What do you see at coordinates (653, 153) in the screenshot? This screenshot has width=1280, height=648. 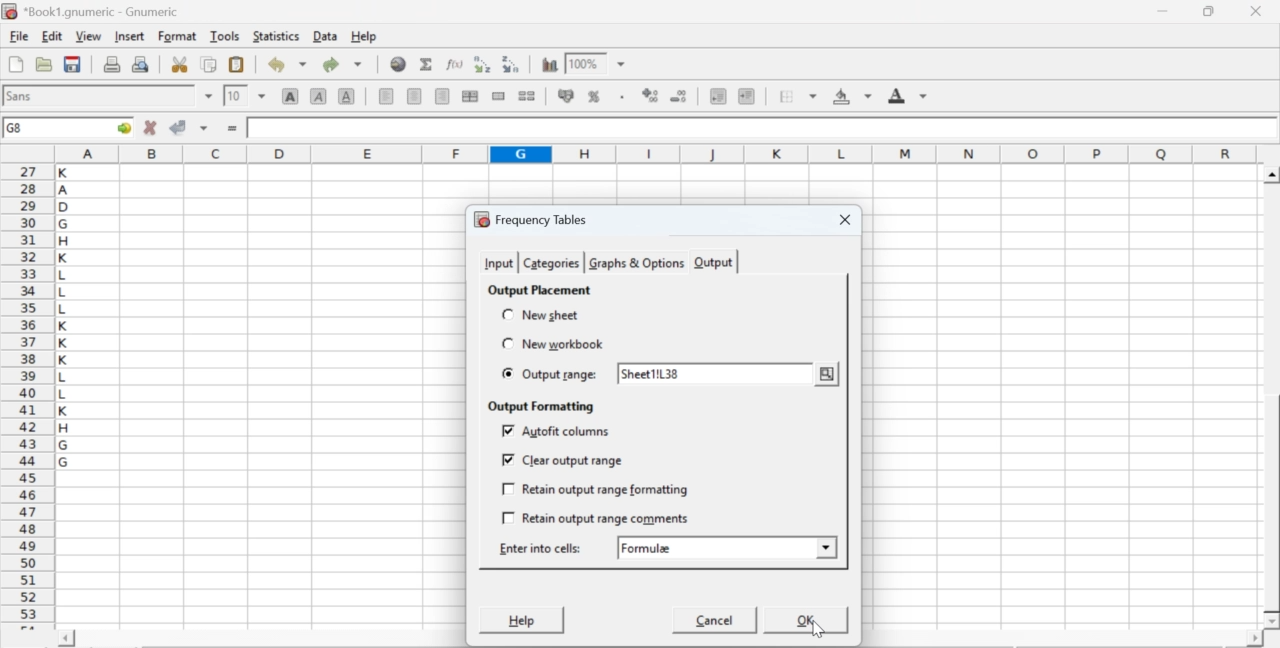 I see `column names` at bounding box center [653, 153].